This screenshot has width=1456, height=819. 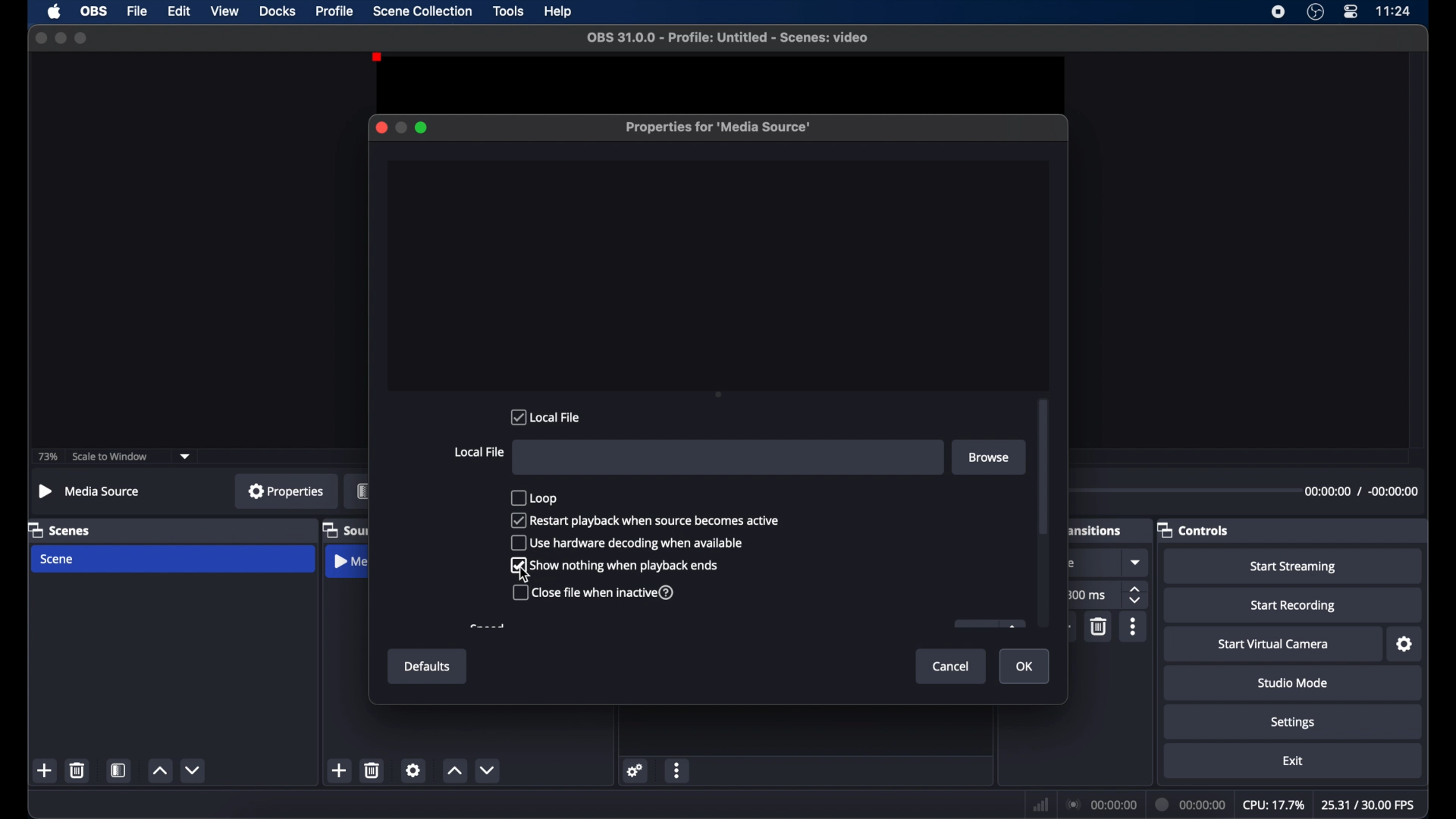 I want to click on more options, so click(x=1134, y=626).